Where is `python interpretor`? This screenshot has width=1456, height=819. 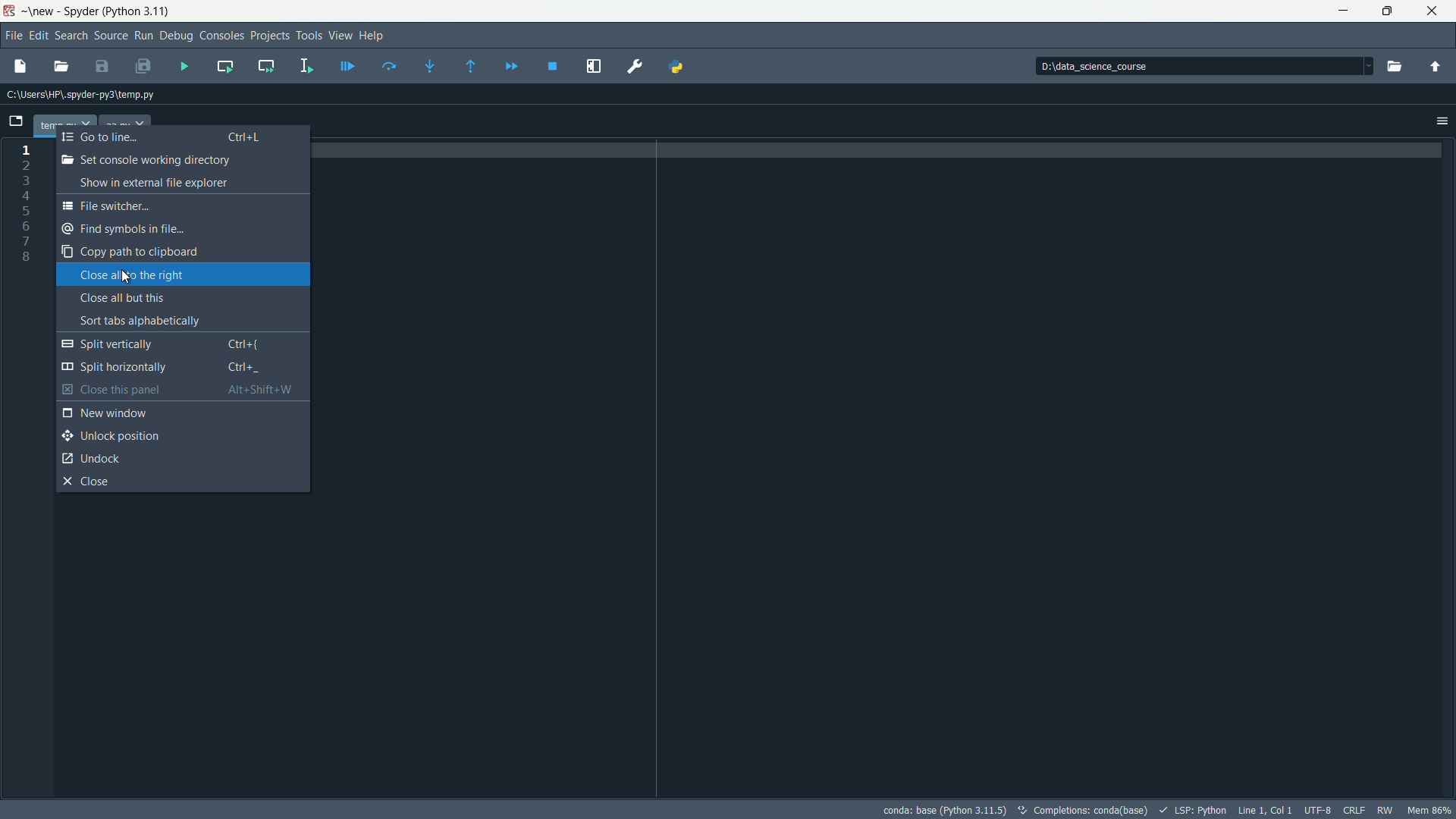
python interpretor is located at coordinates (942, 809).